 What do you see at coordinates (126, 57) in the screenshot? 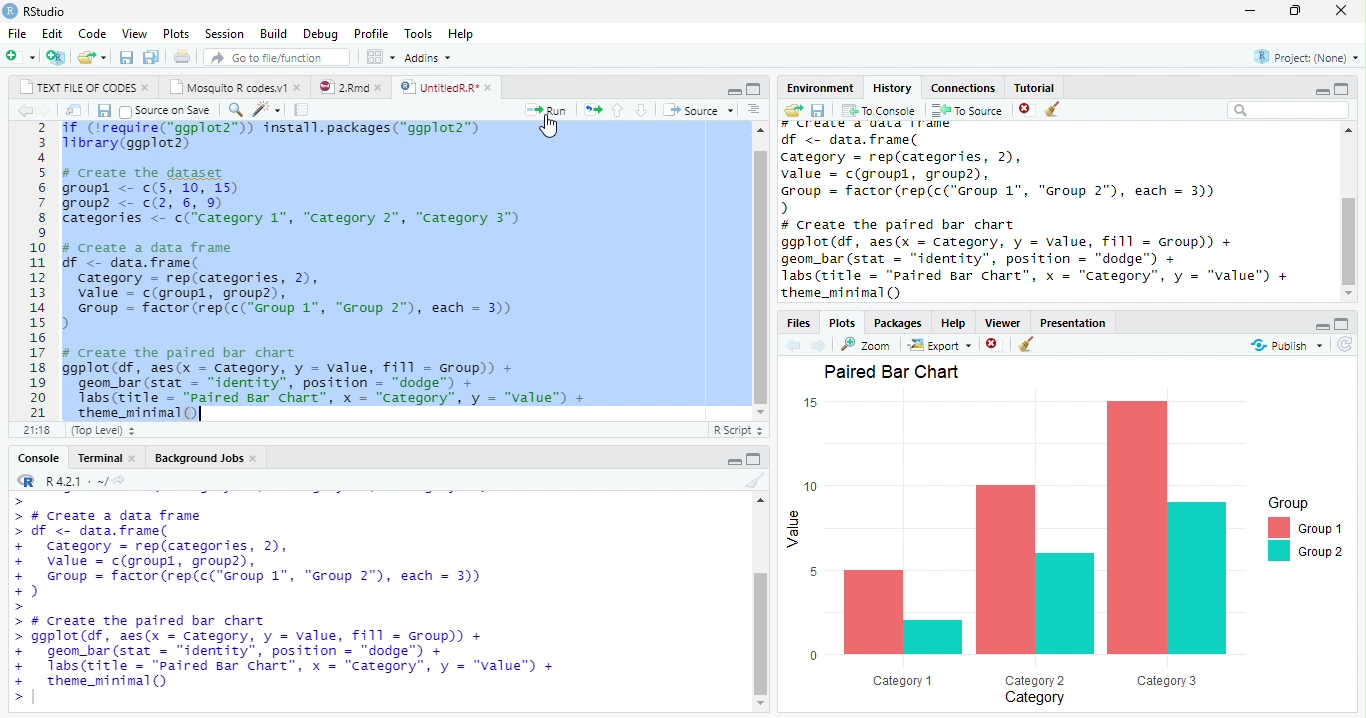
I see `save current document` at bounding box center [126, 57].